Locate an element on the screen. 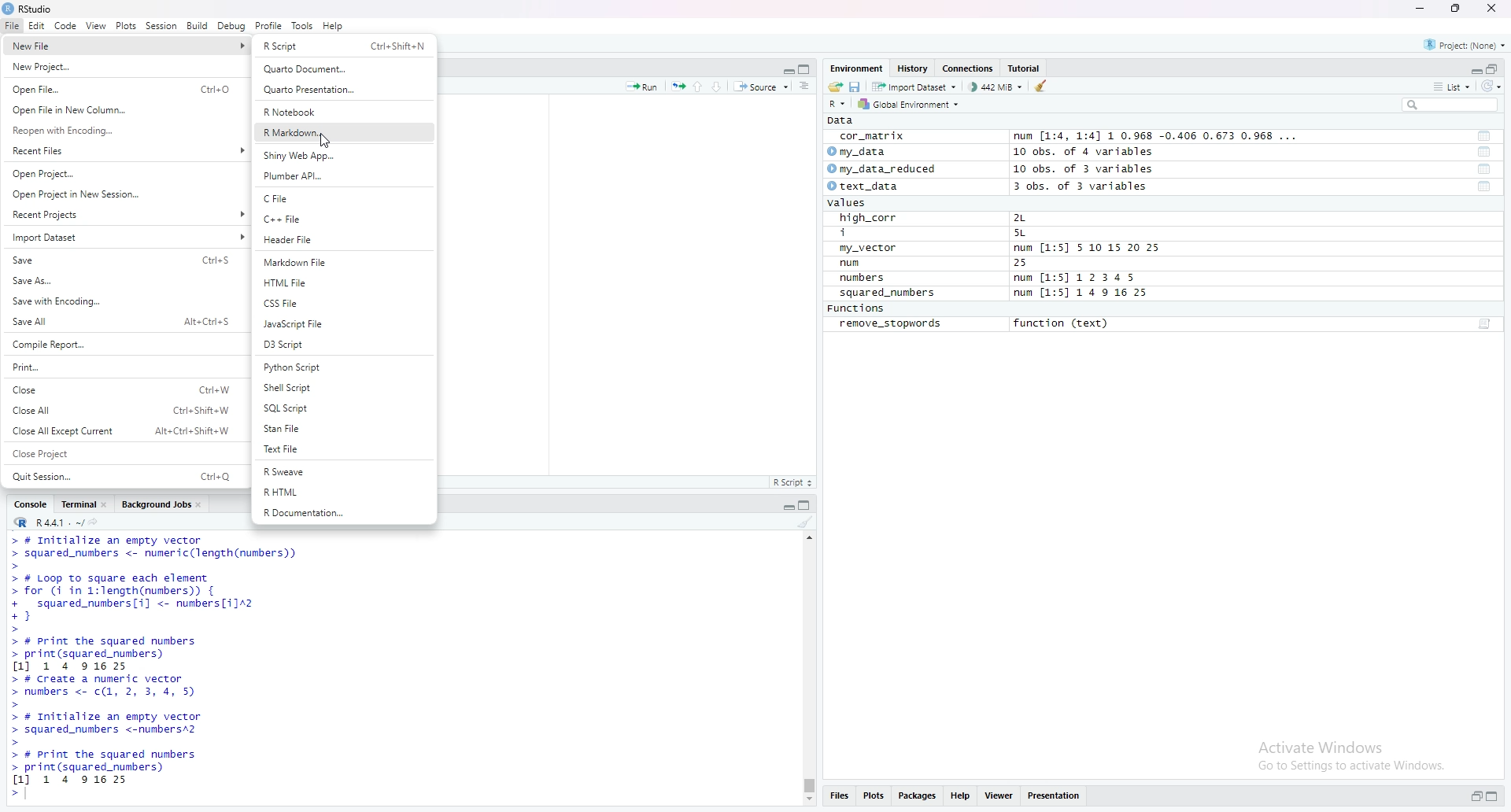 The image size is (1511, 812). Shell Script is located at coordinates (342, 387).